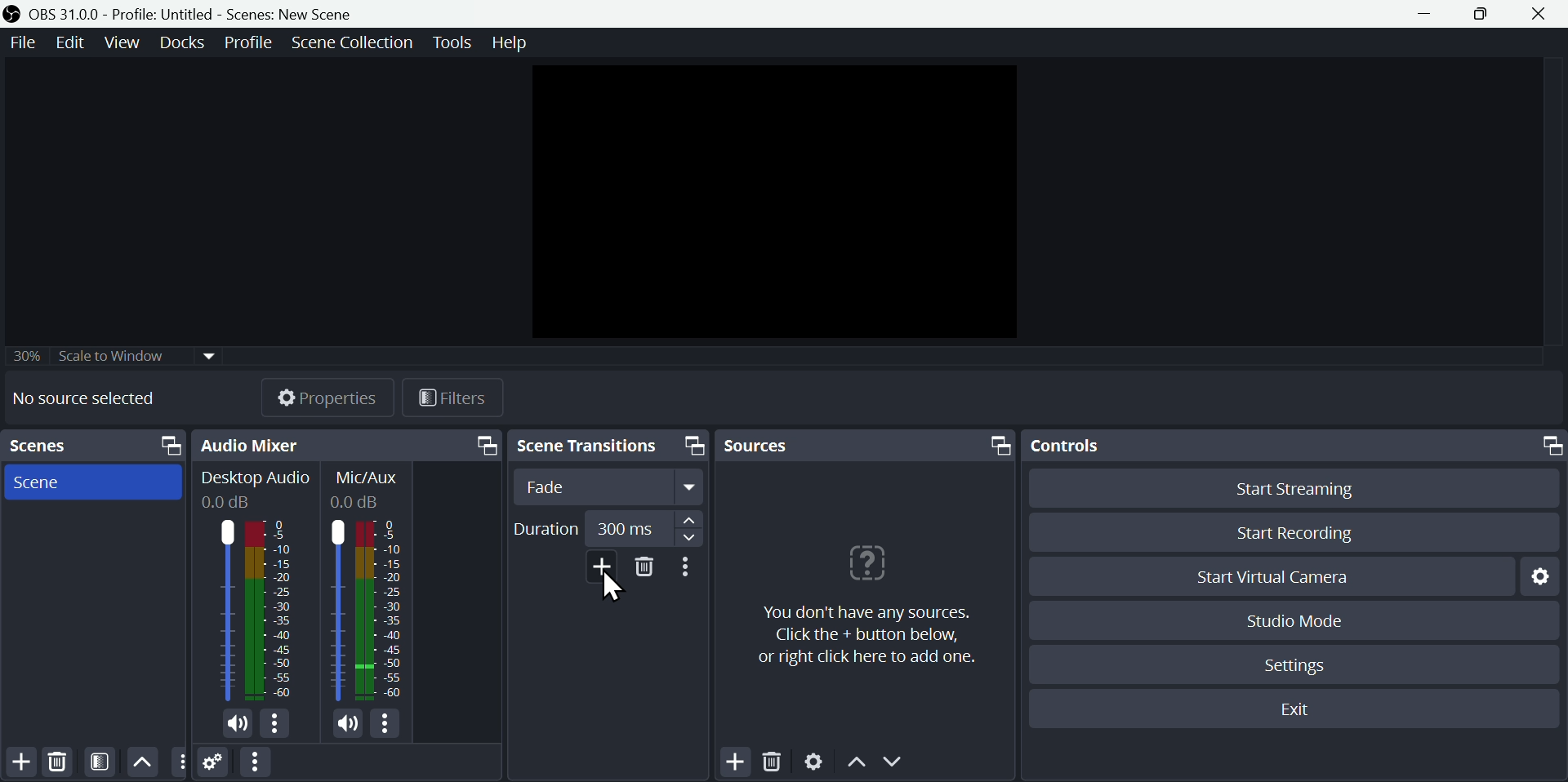  Describe the element at coordinates (626, 525) in the screenshot. I see `30MS` at that location.